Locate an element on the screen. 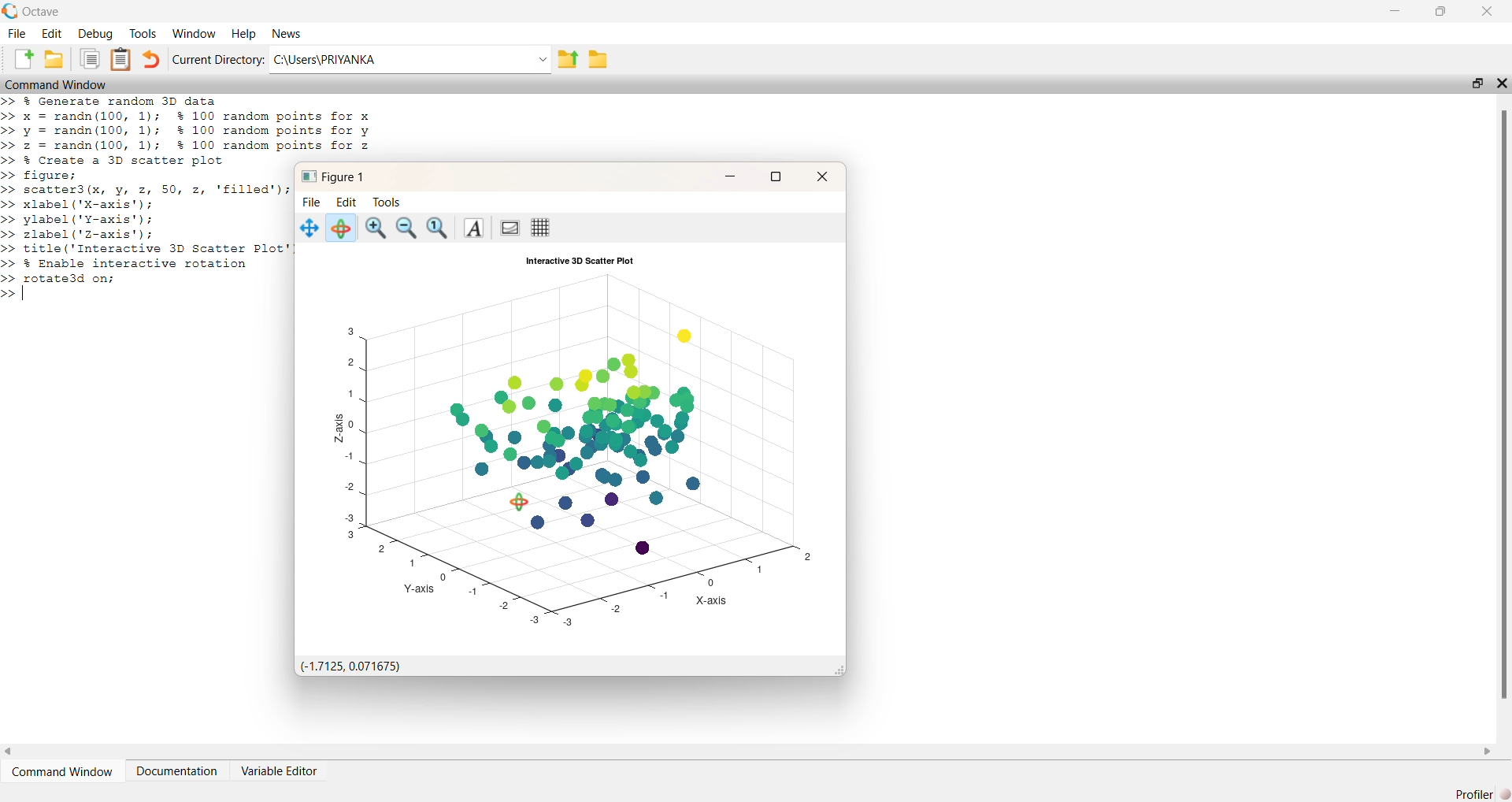 The height and width of the screenshot is (802, 1512). resize is located at coordinates (1477, 83).